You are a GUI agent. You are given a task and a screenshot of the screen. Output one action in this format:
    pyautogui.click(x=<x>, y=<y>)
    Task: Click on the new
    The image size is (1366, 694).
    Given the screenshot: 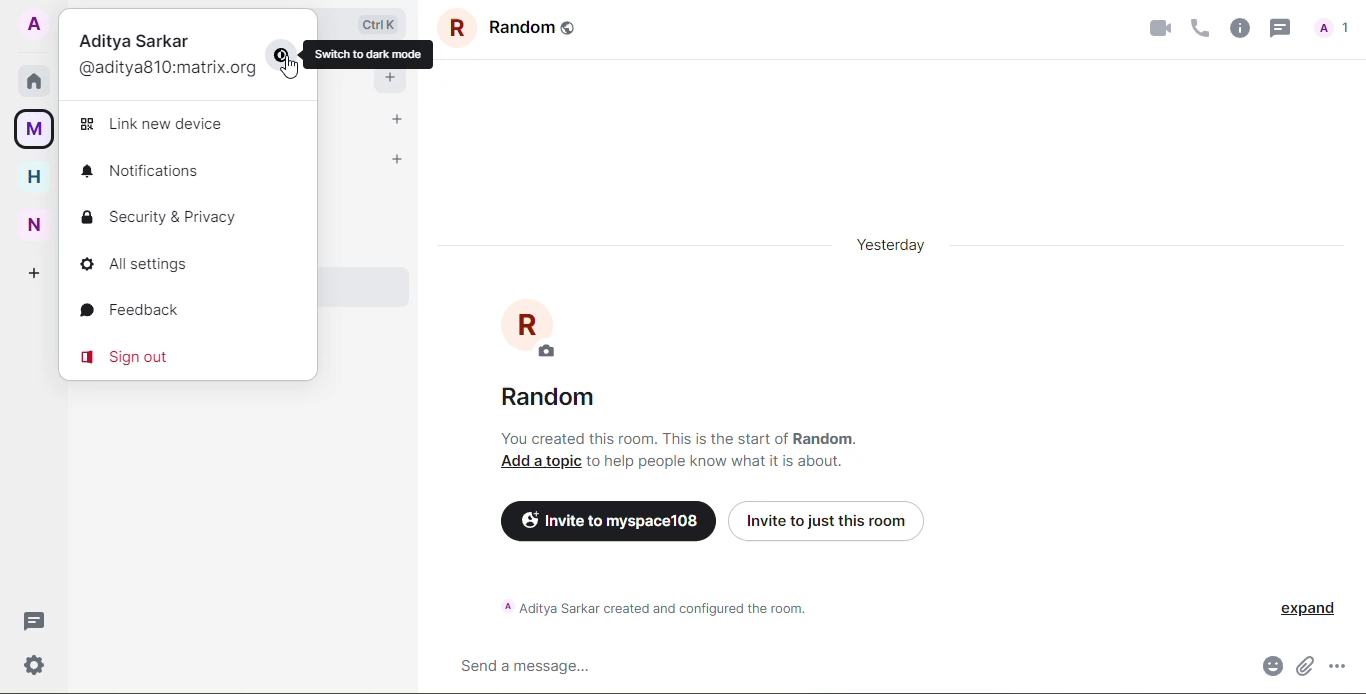 What is the action you would take?
    pyautogui.click(x=37, y=223)
    